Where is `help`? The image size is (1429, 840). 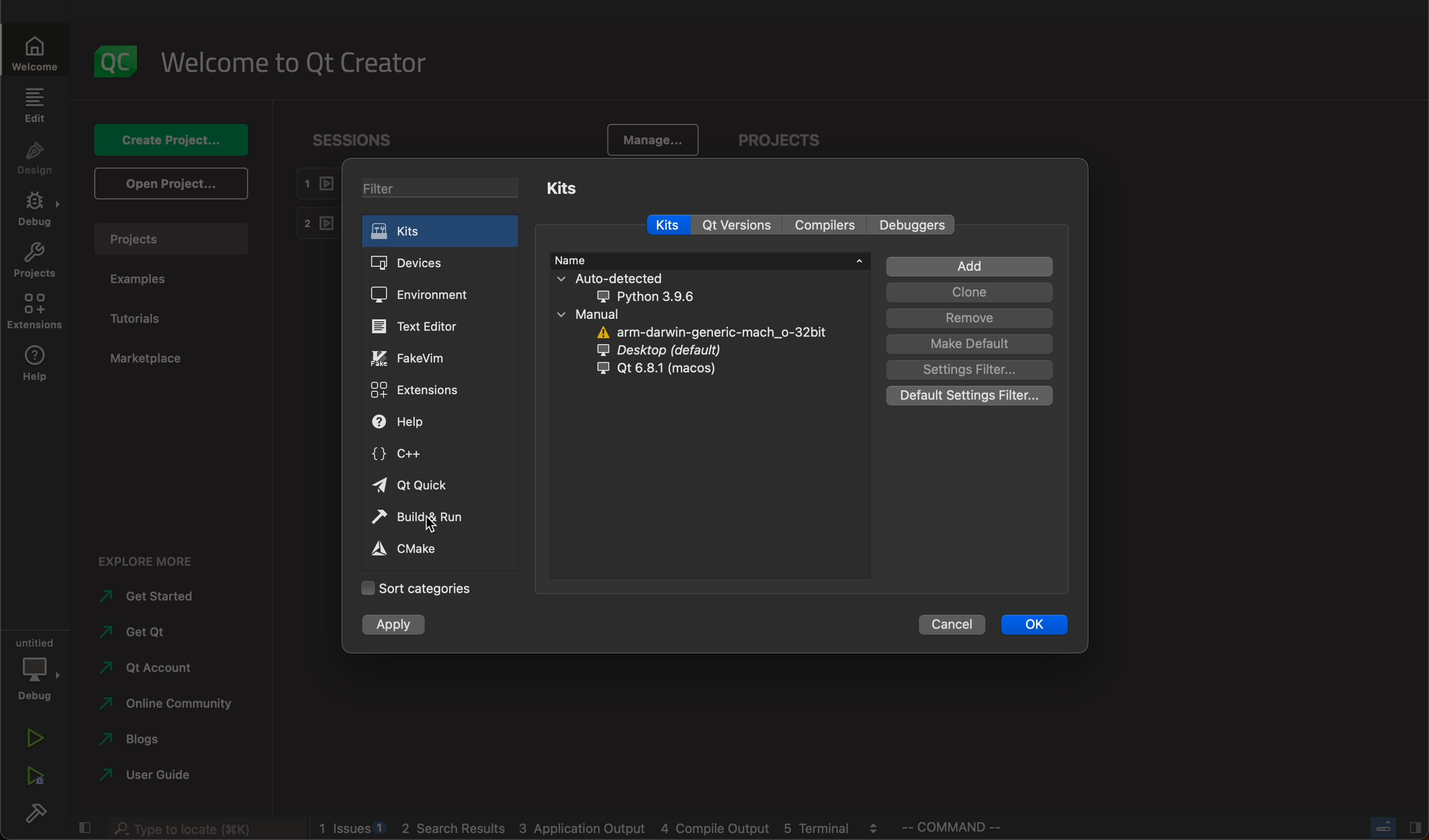
help is located at coordinates (428, 422).